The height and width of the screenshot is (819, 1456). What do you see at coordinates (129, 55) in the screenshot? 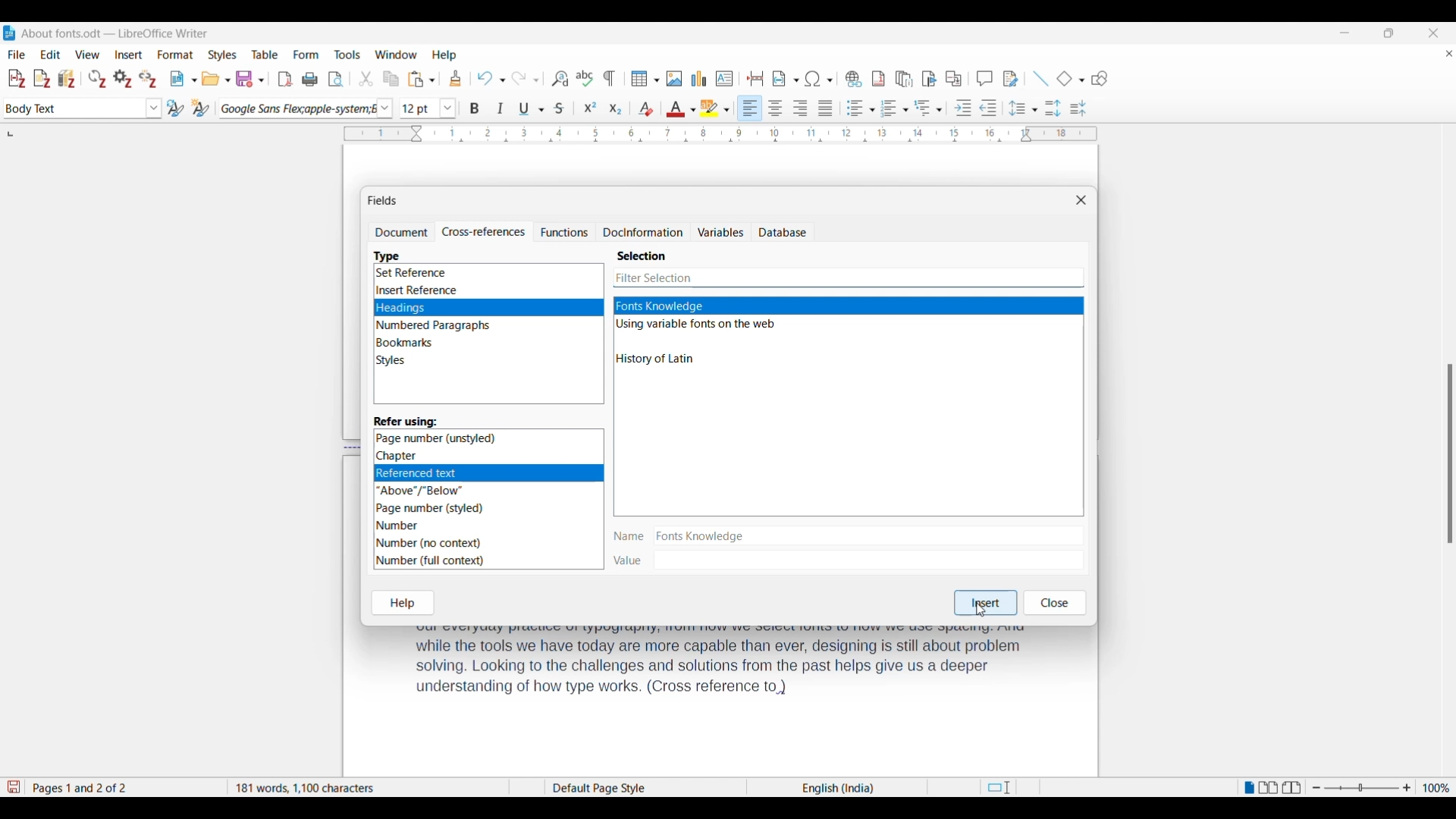
I see `Insert menu` at bounding box center [129, 55].